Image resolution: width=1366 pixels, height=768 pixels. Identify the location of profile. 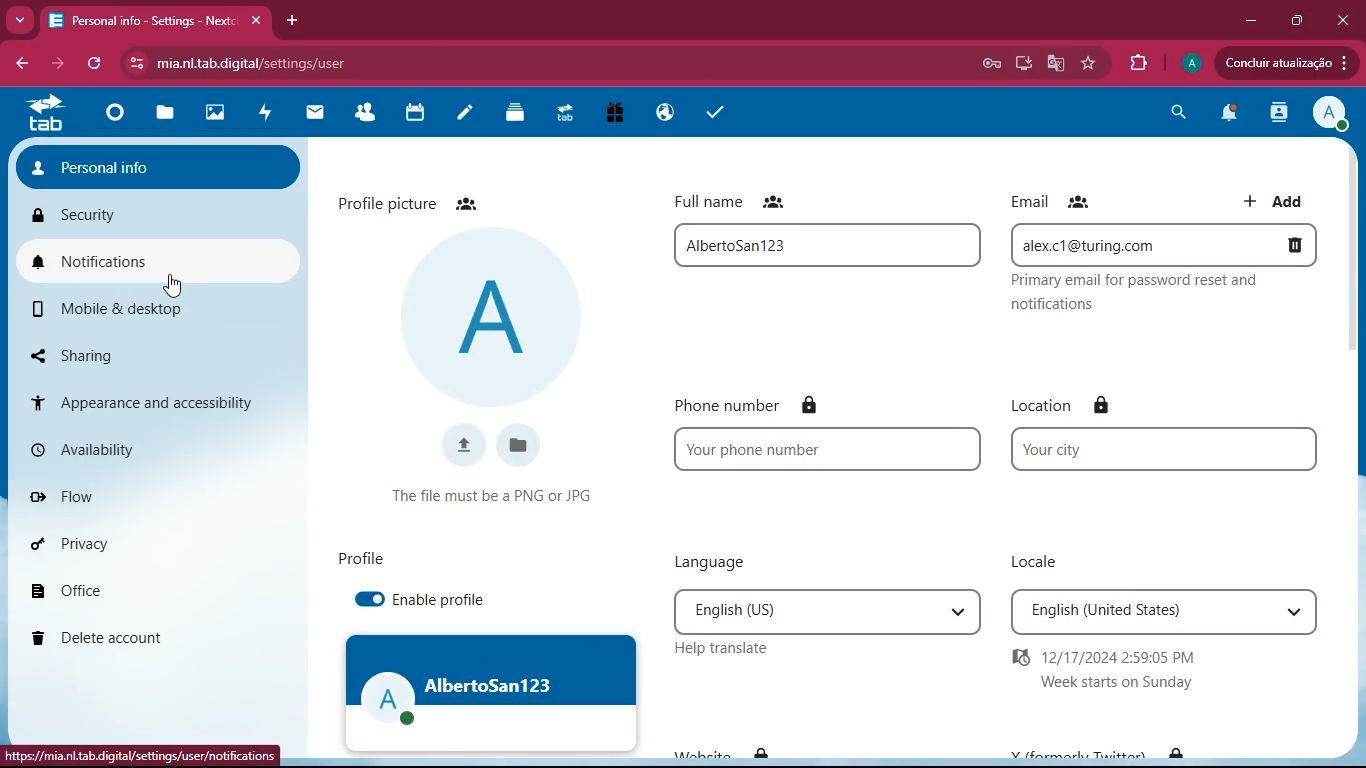
(1191, 65).